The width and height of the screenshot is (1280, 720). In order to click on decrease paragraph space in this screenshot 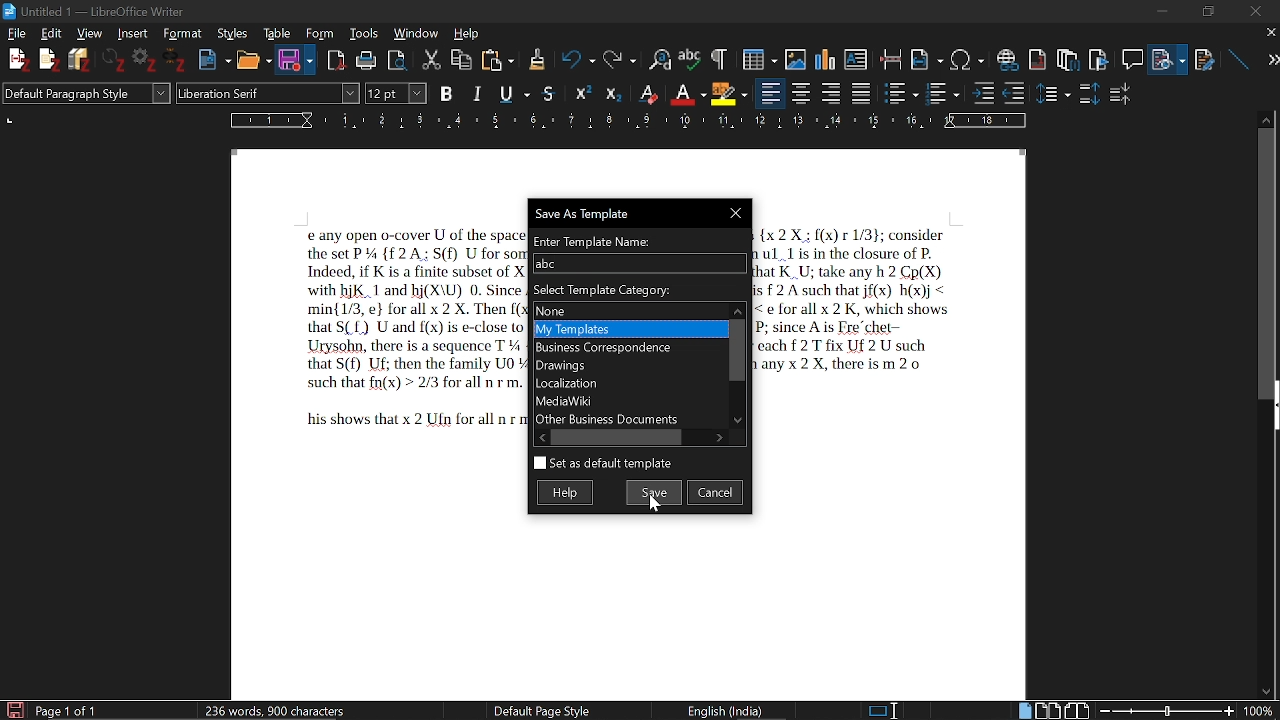, I will do `click(1121, 97)`.